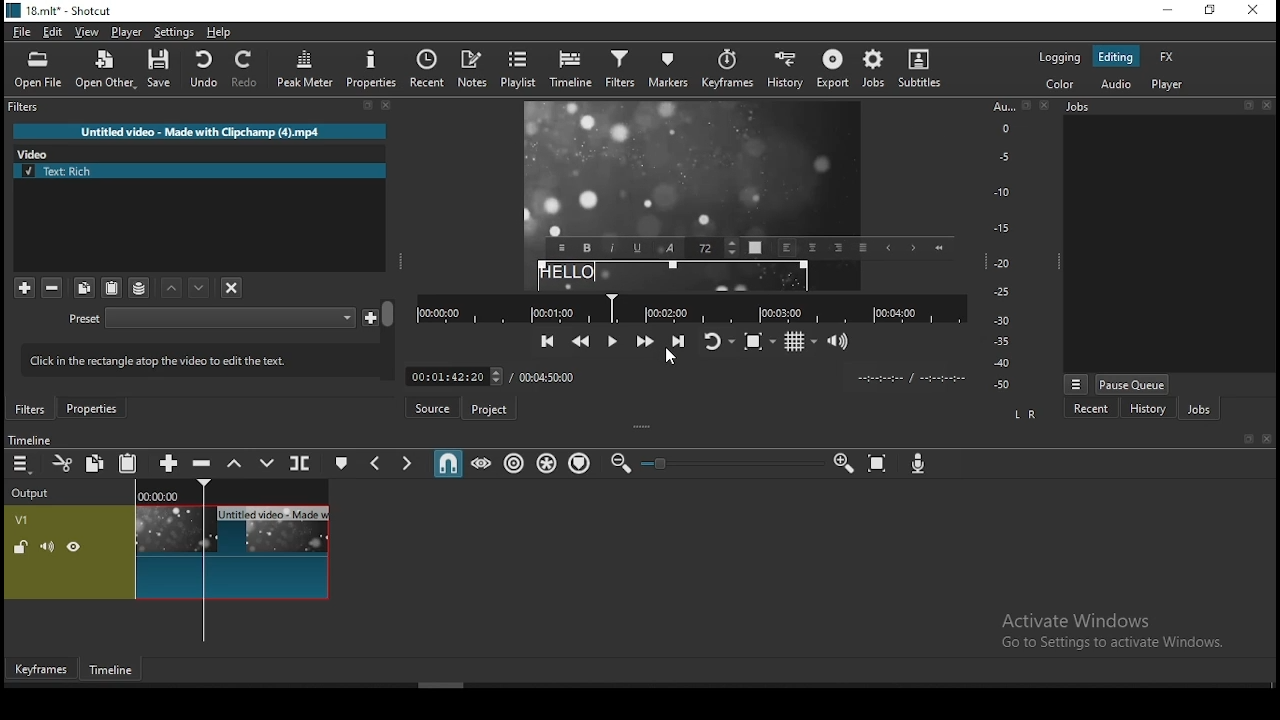 Image resolution: width=1280 pixels, height=720 pixels. What do you see at coordinates (139, 287) in the screenshot?
I see `save filter sets` at bounding box center [139, 287].